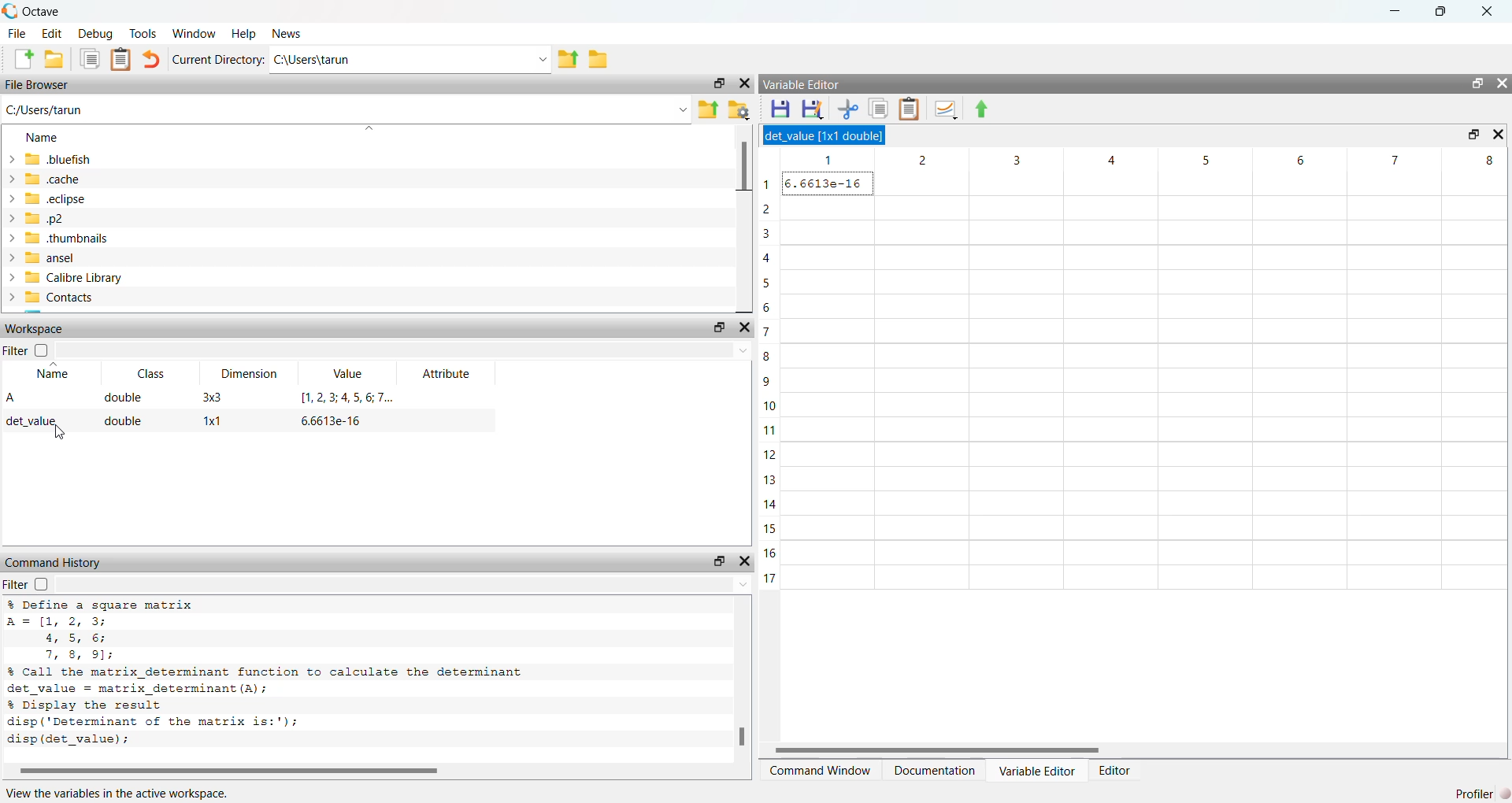 Image resolution: width=1512 pixels, height=803 pixels. I want to click on 1x1, so click(212, 422).